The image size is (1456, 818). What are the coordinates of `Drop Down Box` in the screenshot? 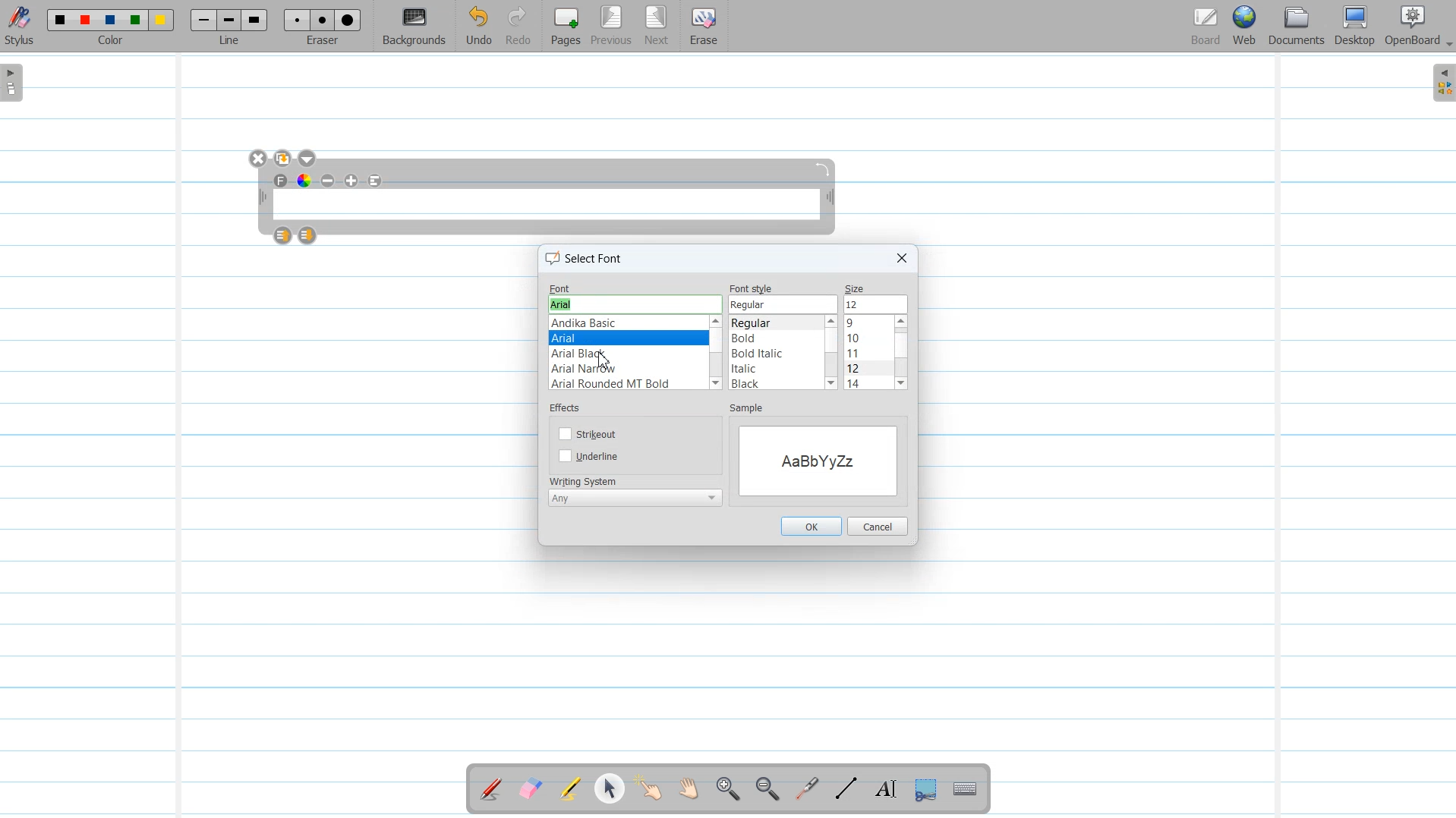 It's located at (1447, 45).